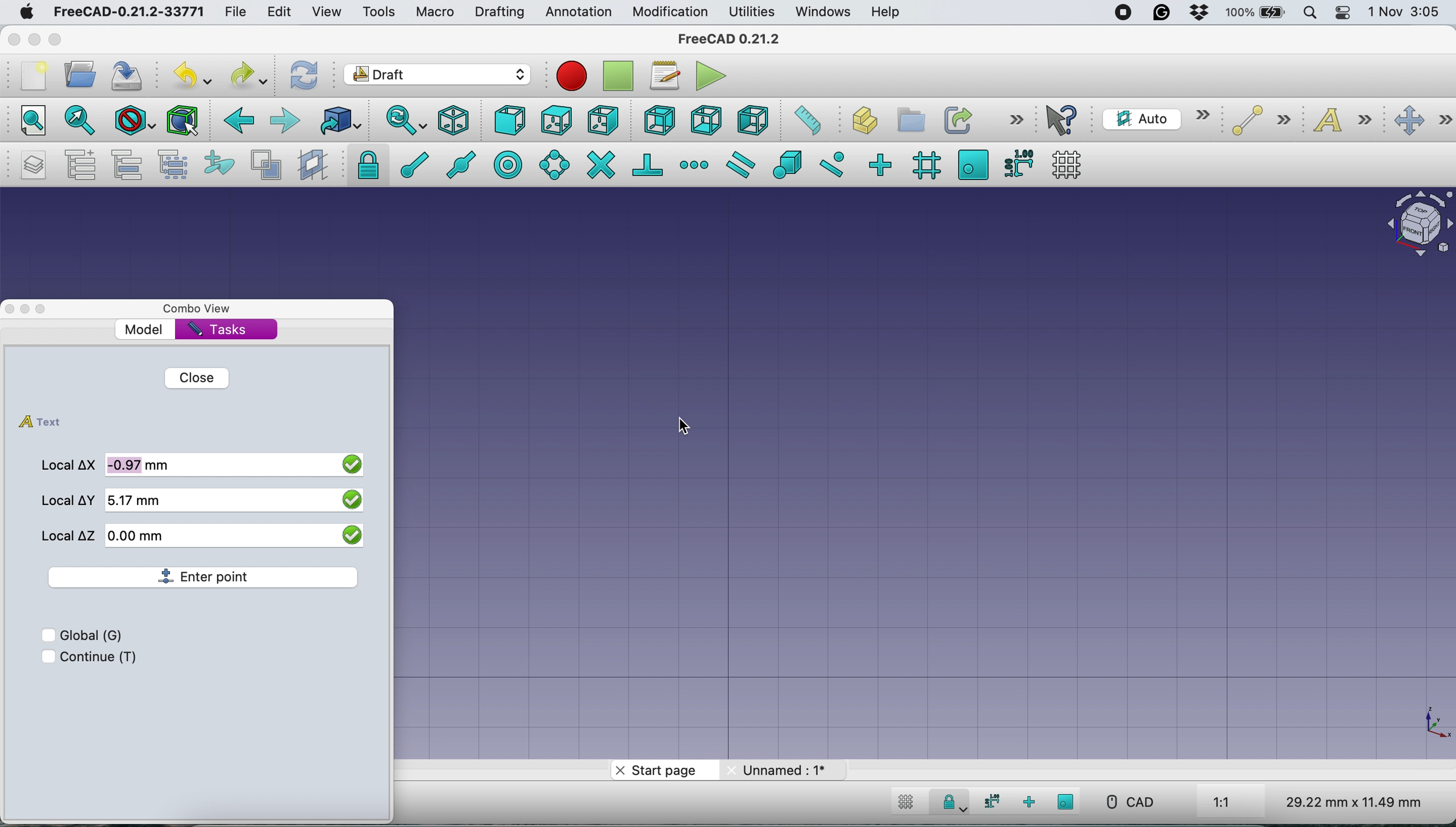  I want to click on tools, so click(378, 12).